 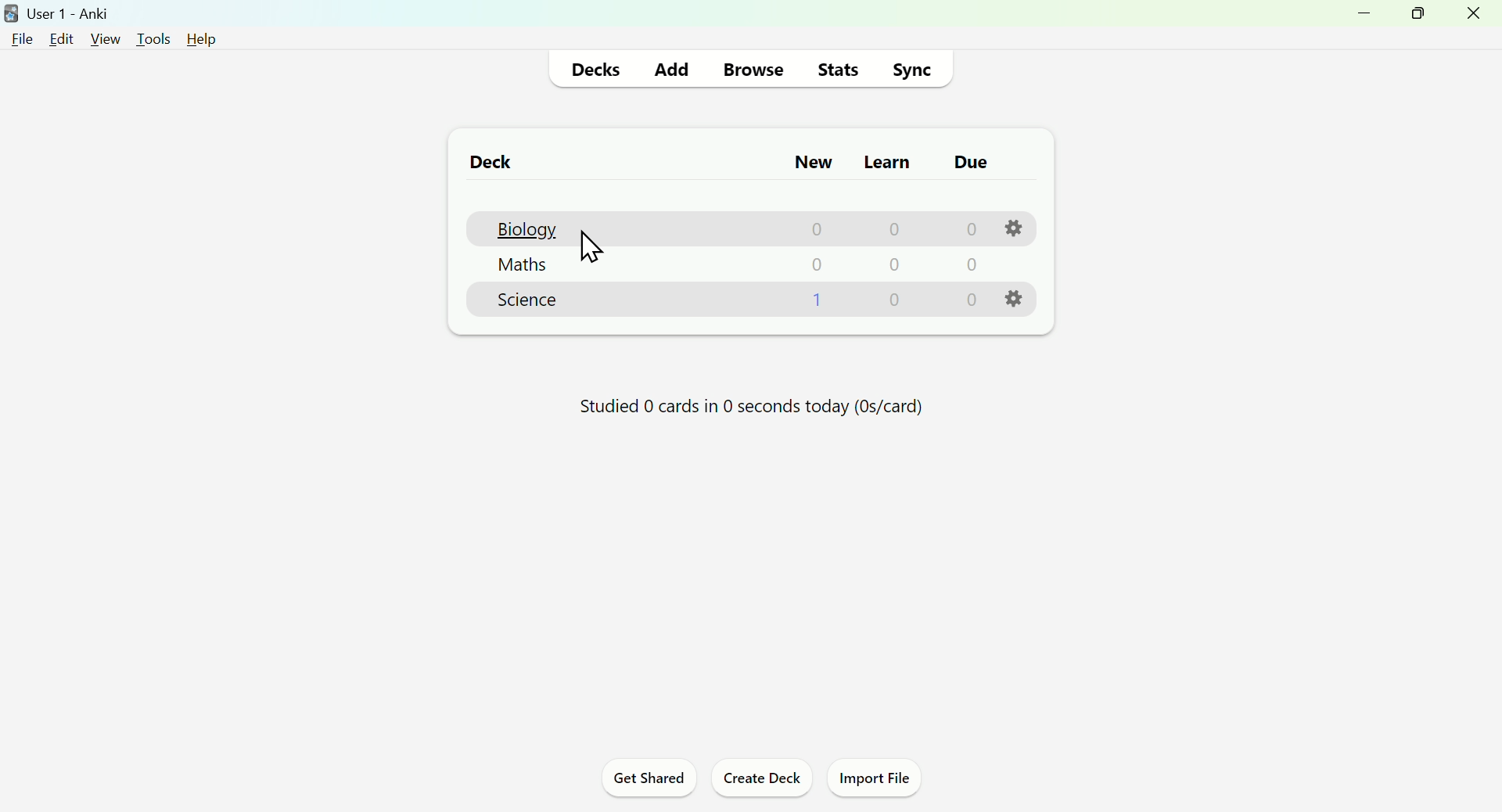 What do you see at coordinates (104, 39) in the screenshot?
I see `view` at bounding box center [104, 39].